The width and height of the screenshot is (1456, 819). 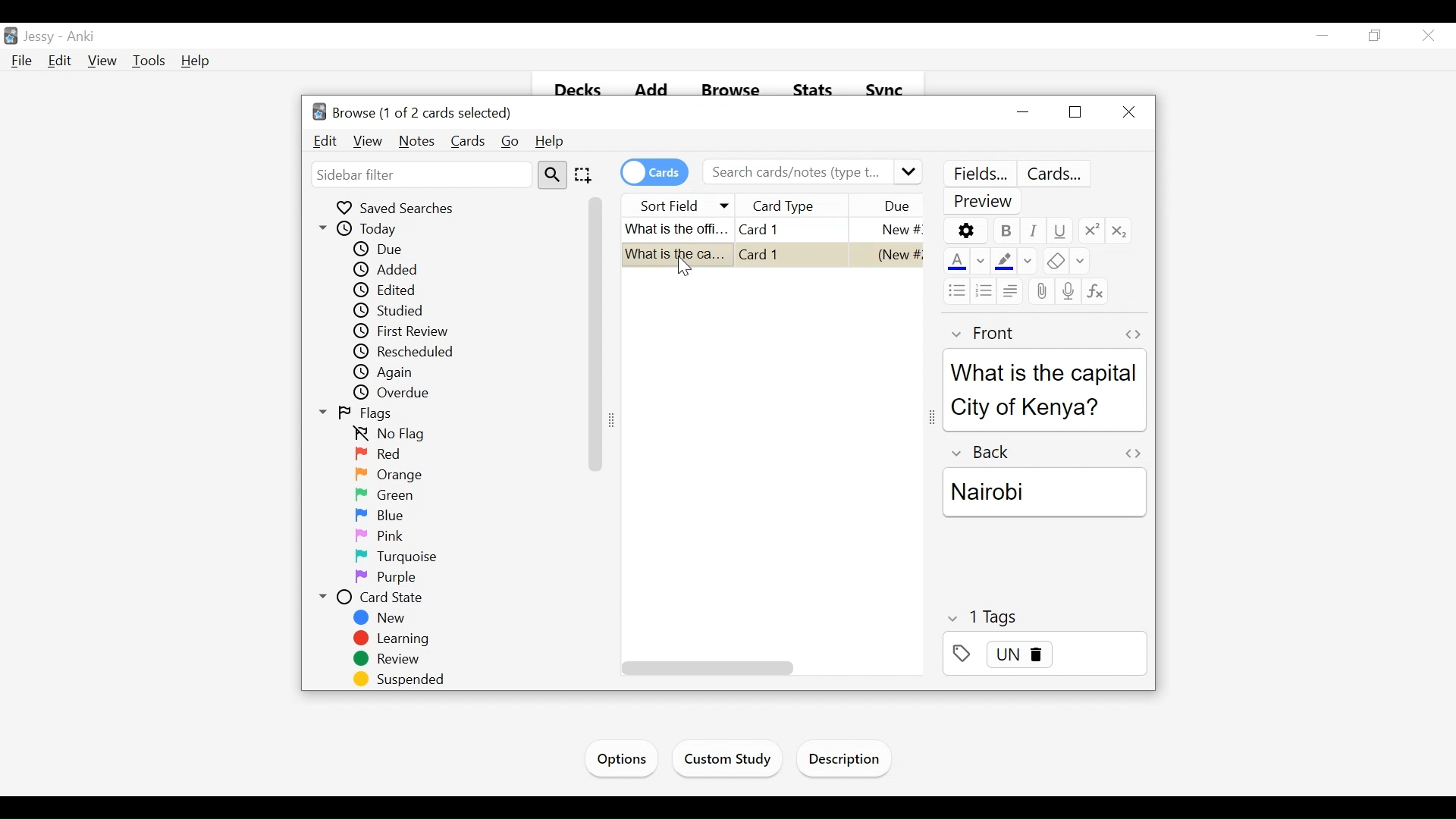 What do you see at coordinates (649, 91) in the screenshot?
I see `Add` at bounding box center [649, 91].